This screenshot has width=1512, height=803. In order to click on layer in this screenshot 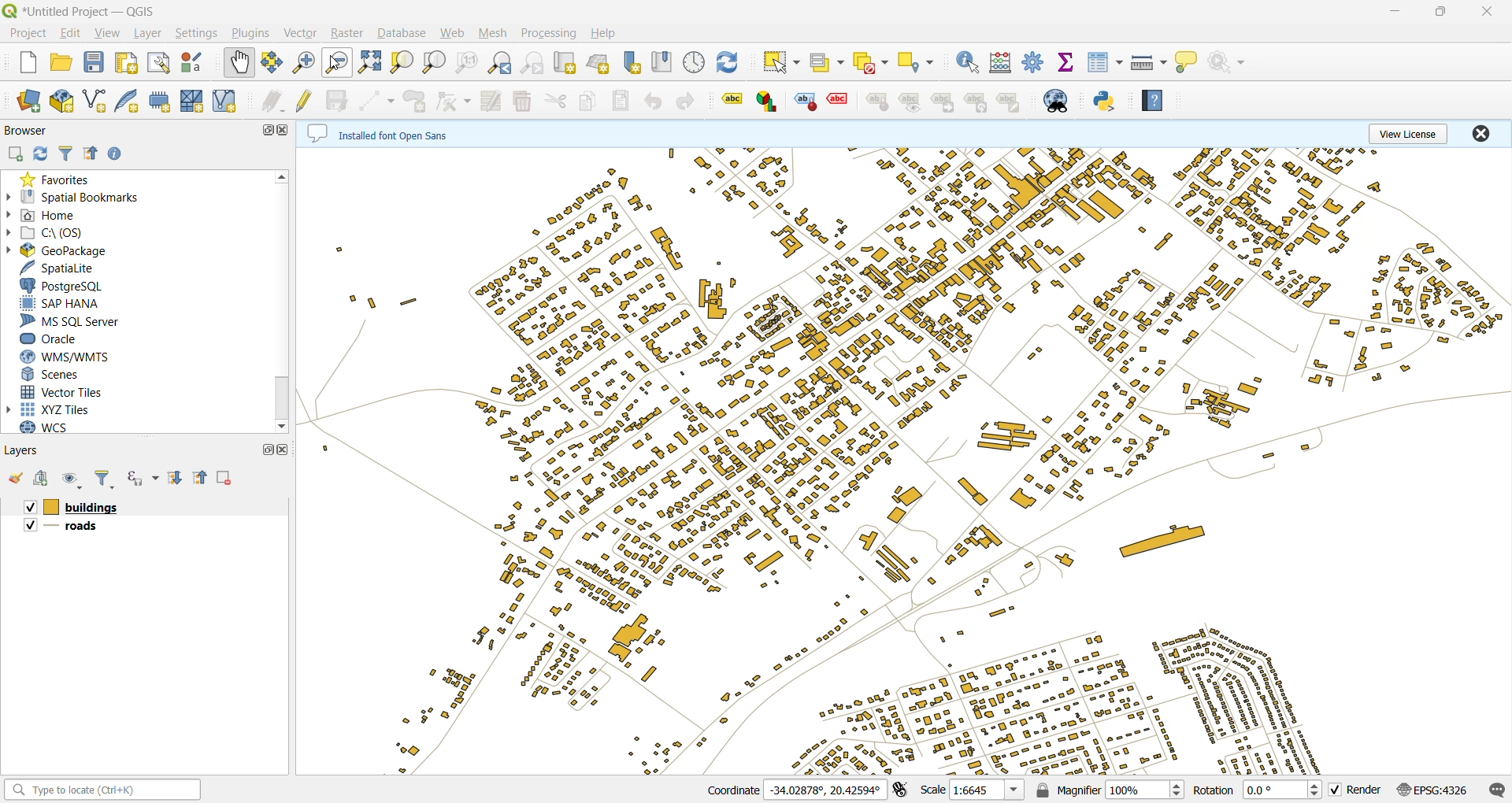, I will do `click(150, 33)`.